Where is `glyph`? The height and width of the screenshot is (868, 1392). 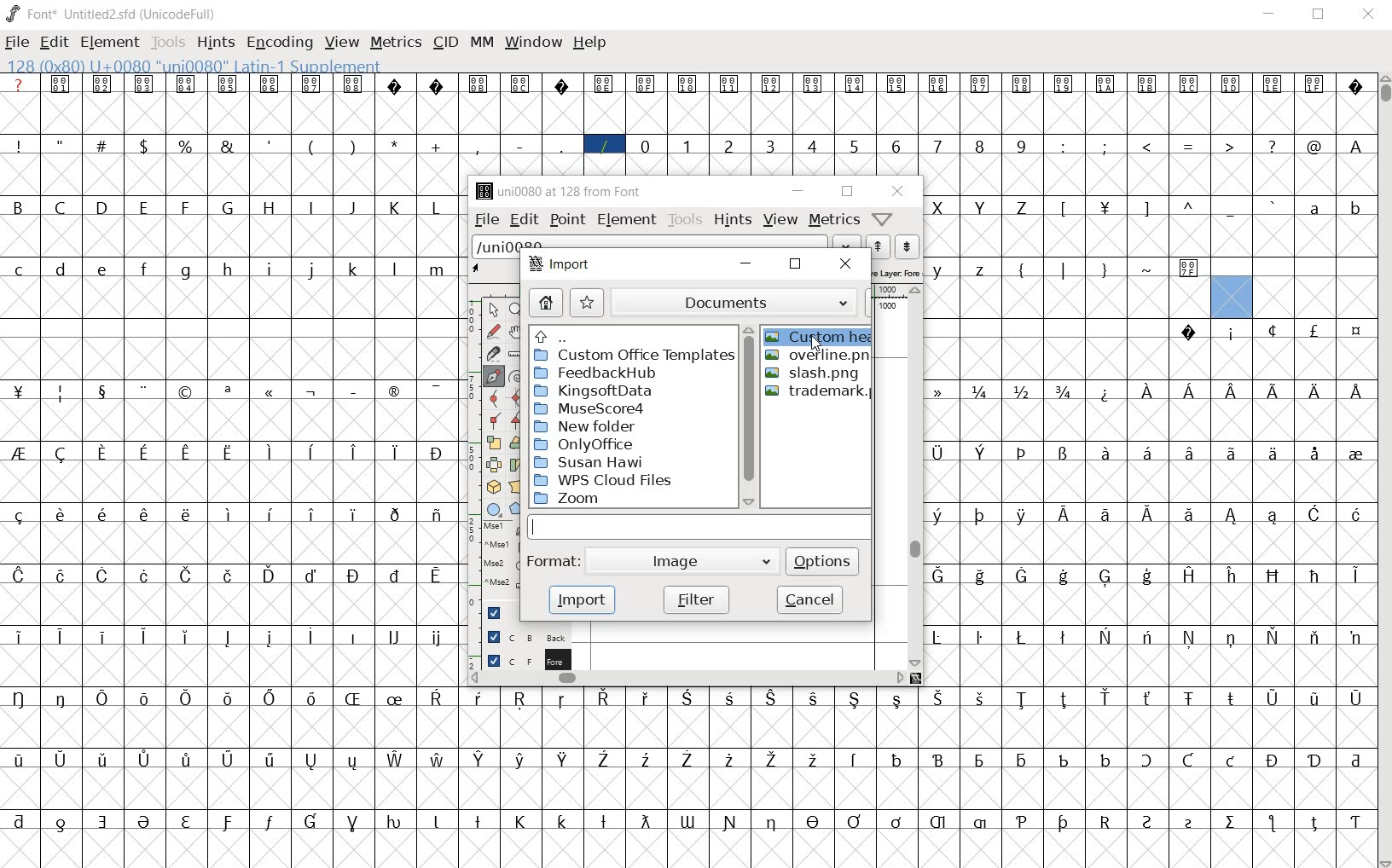 glyph is located at coordinates (1314, 576).